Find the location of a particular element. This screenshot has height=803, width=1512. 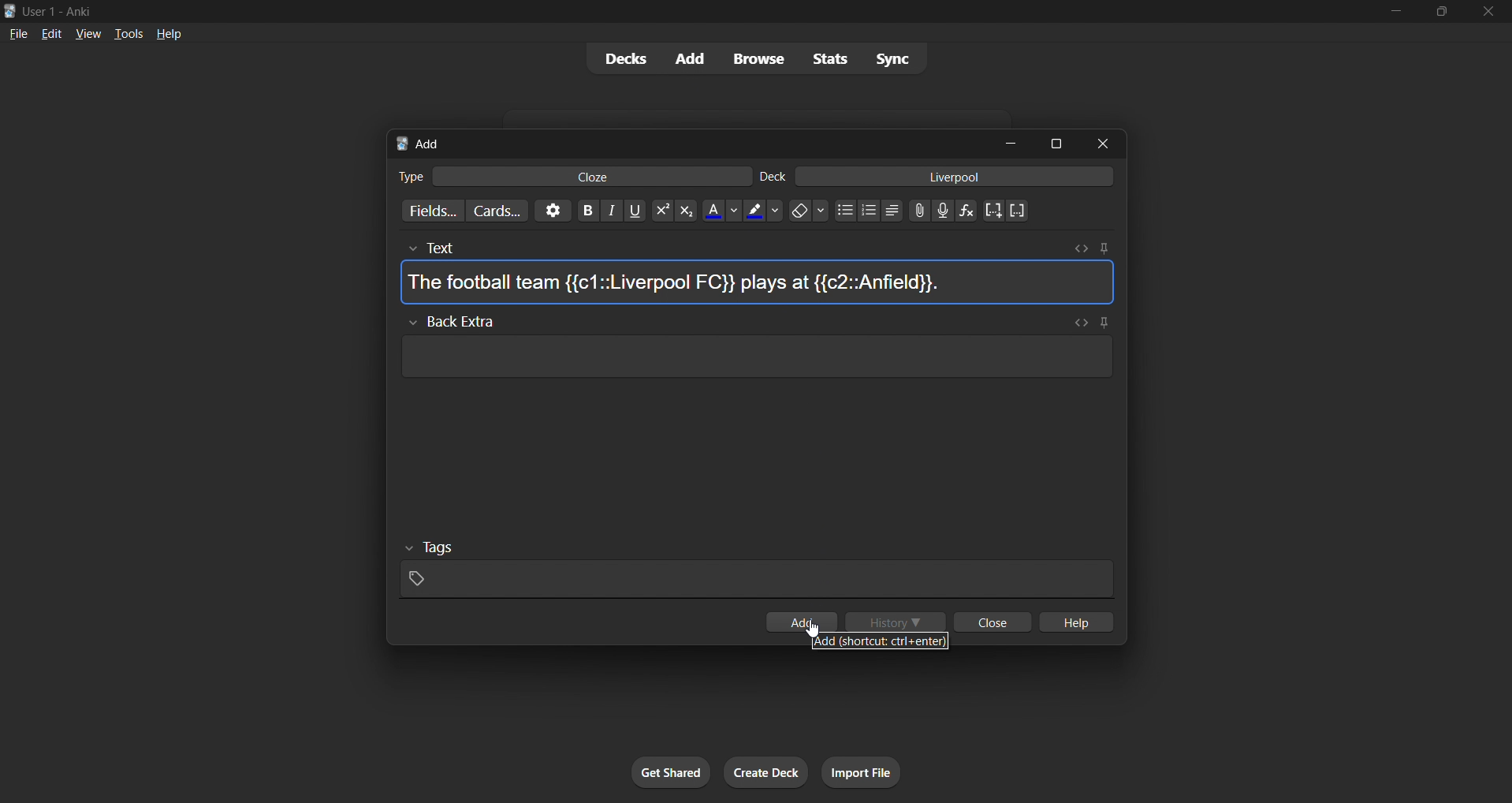

browse is located at coordinates (754, 58).